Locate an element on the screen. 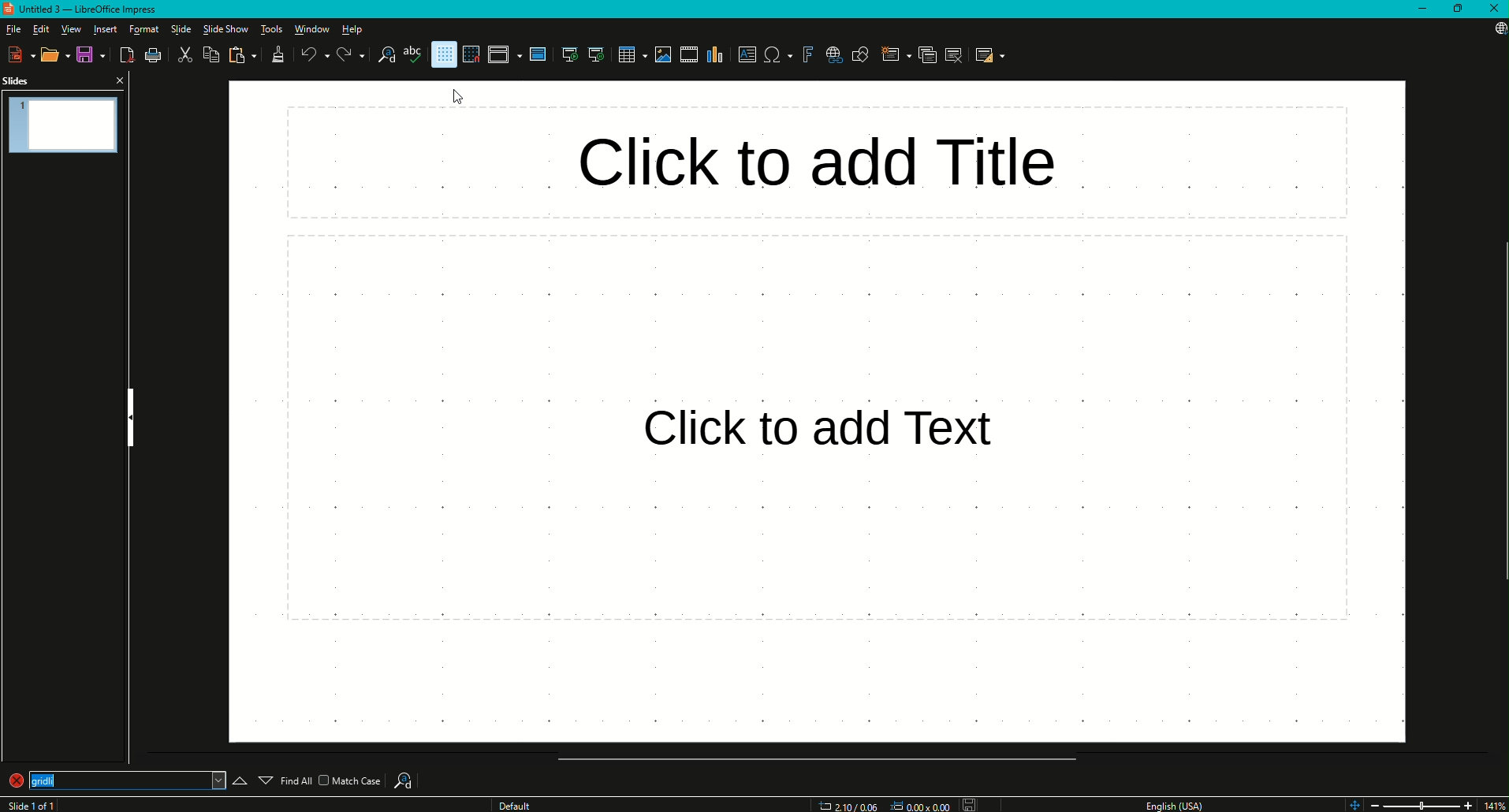 Image resolution: width=1509 pixels, height=812 pixels. Scroll is located at coordinates (1500, 412).